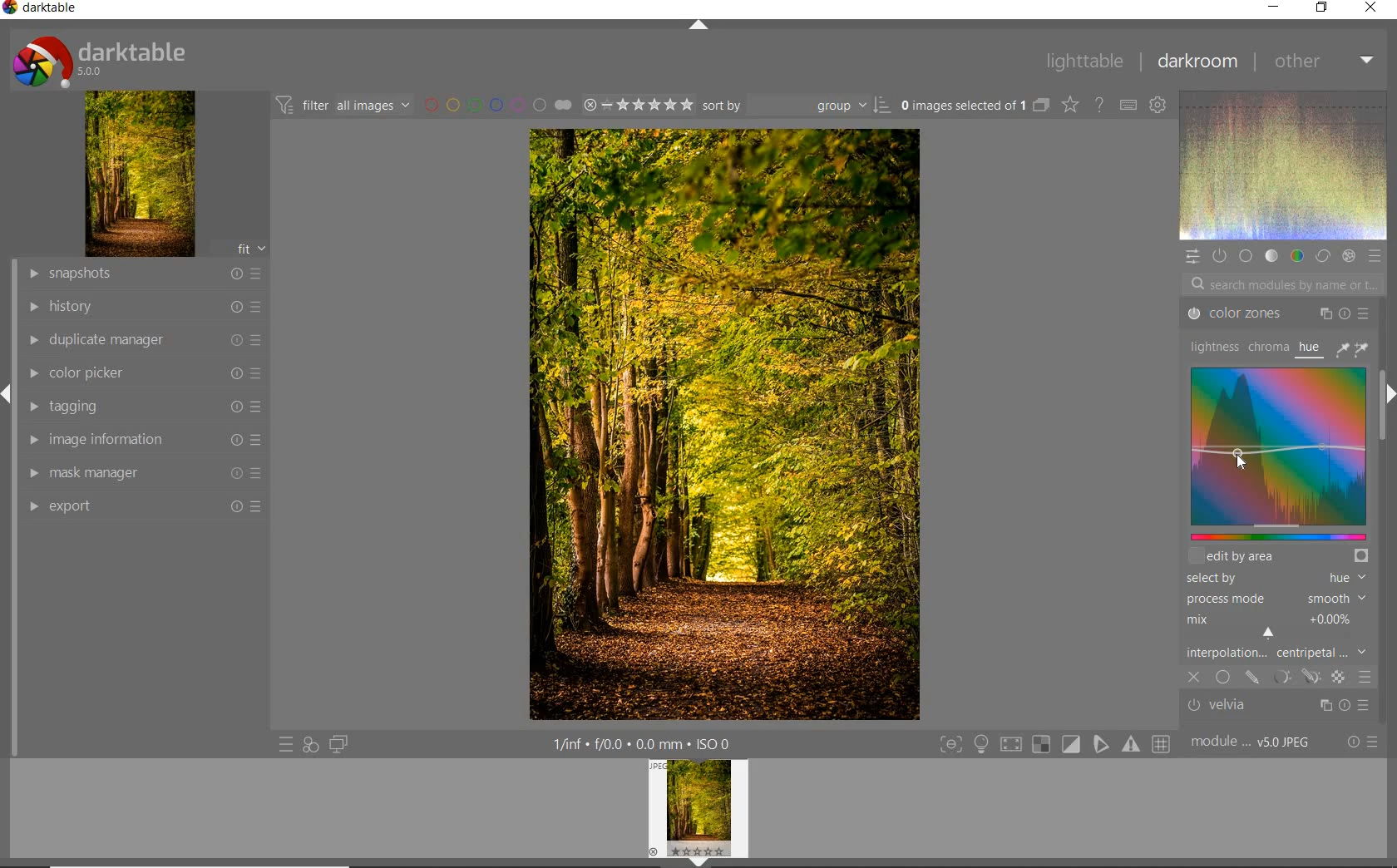 Image resolution: width=1397 pixels, height=868 pixels. I want to click on chroma, so click(1266, 348).